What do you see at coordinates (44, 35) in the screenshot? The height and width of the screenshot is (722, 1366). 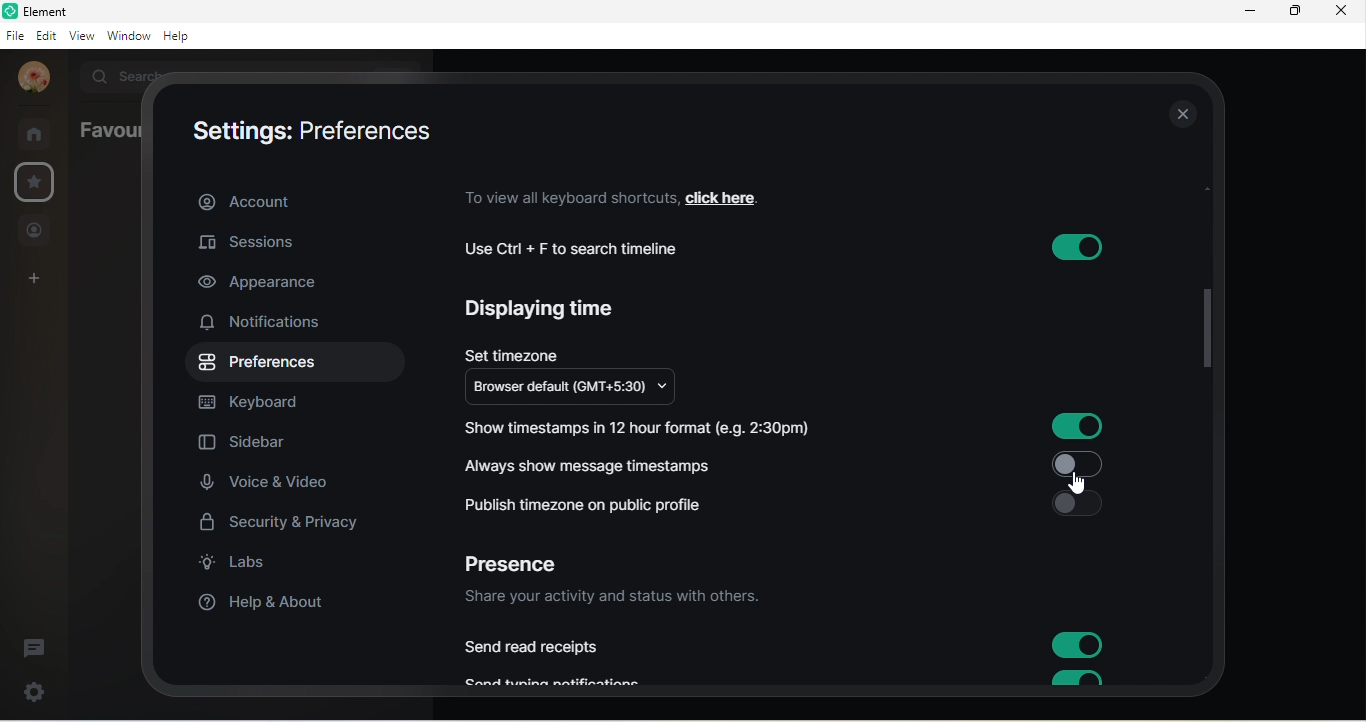 I see `edit` at bounding box center [44, 35].